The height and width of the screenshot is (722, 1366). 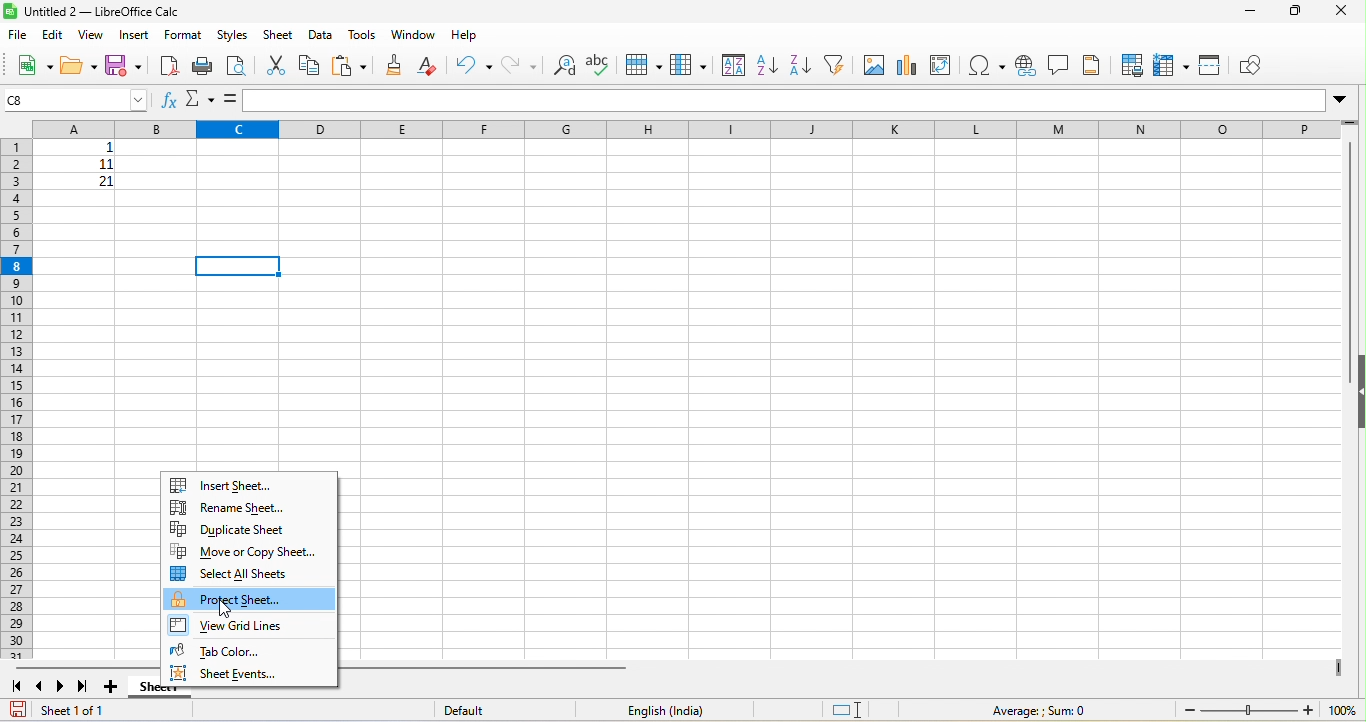 What do you see at coordinates (847, 711) in the screenshot?
I see `standard selection` at bounding box center [847, 711].